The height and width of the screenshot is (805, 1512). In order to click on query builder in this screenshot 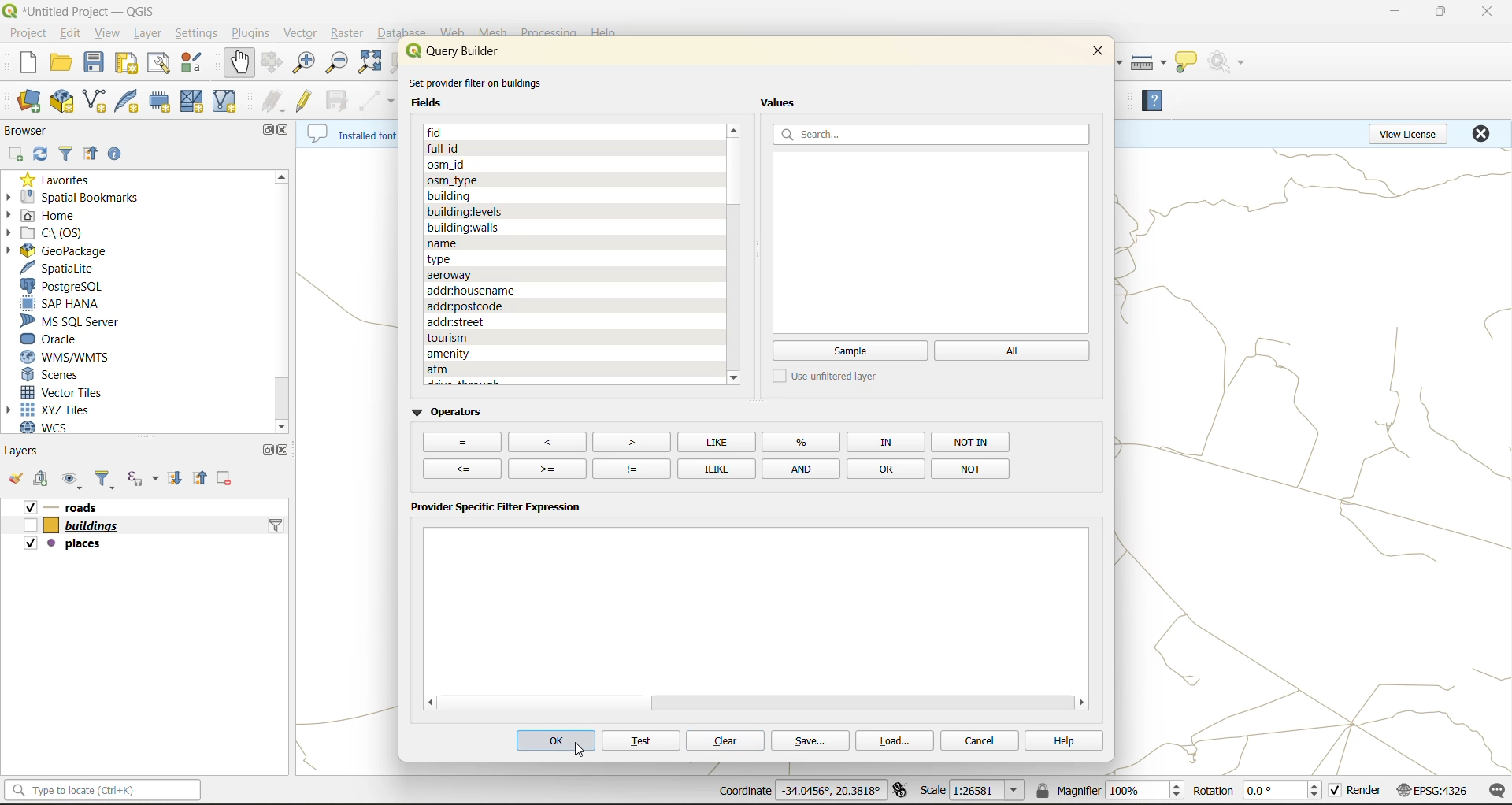, I will do `click(462, 51)`.